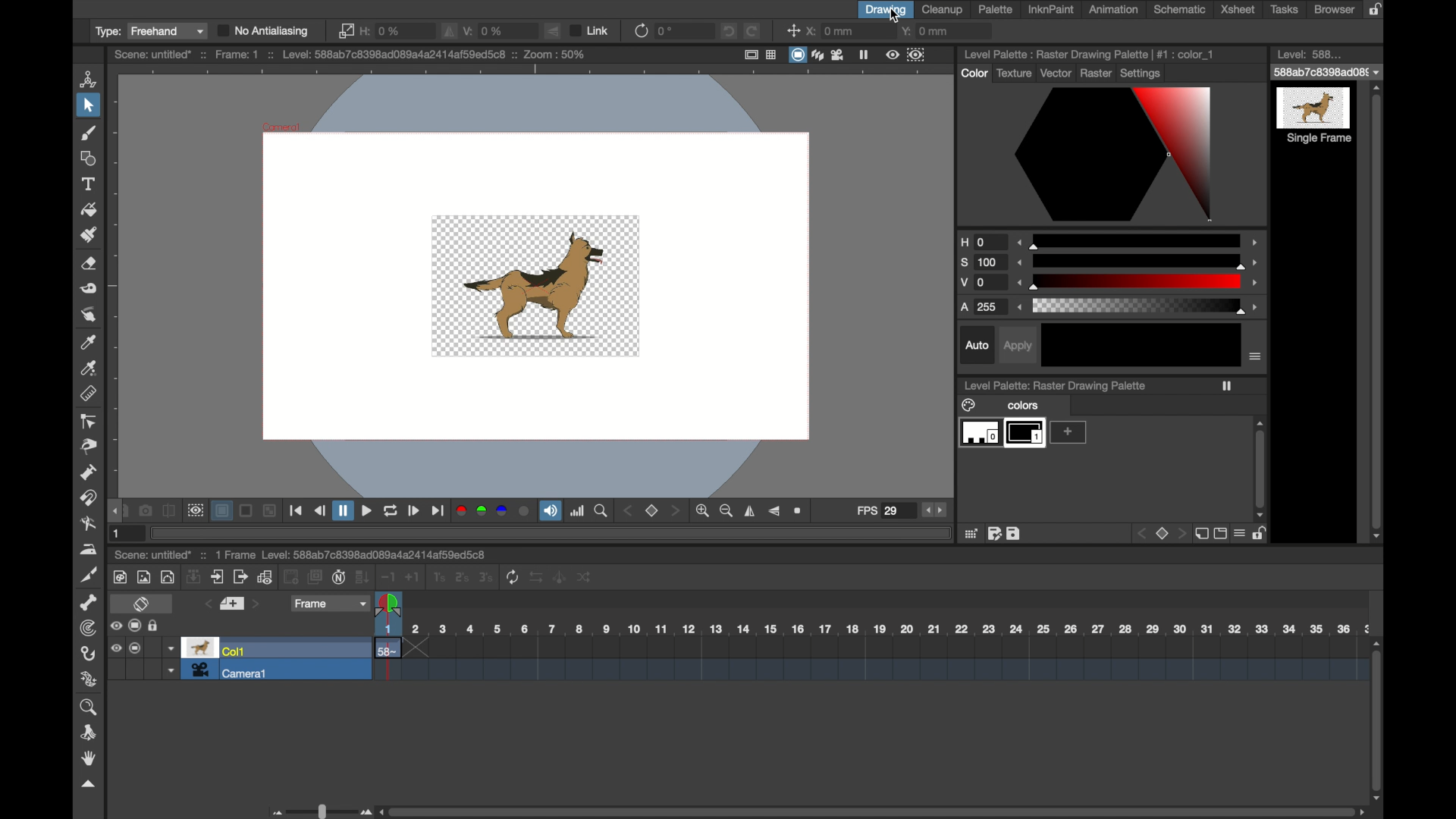 Image resolution: width=1456 pixels, height=819 pixels. What do you see at coordinates (86, 524) in the screenshot?
I see `blender tool` at bounding box center [86, 524].